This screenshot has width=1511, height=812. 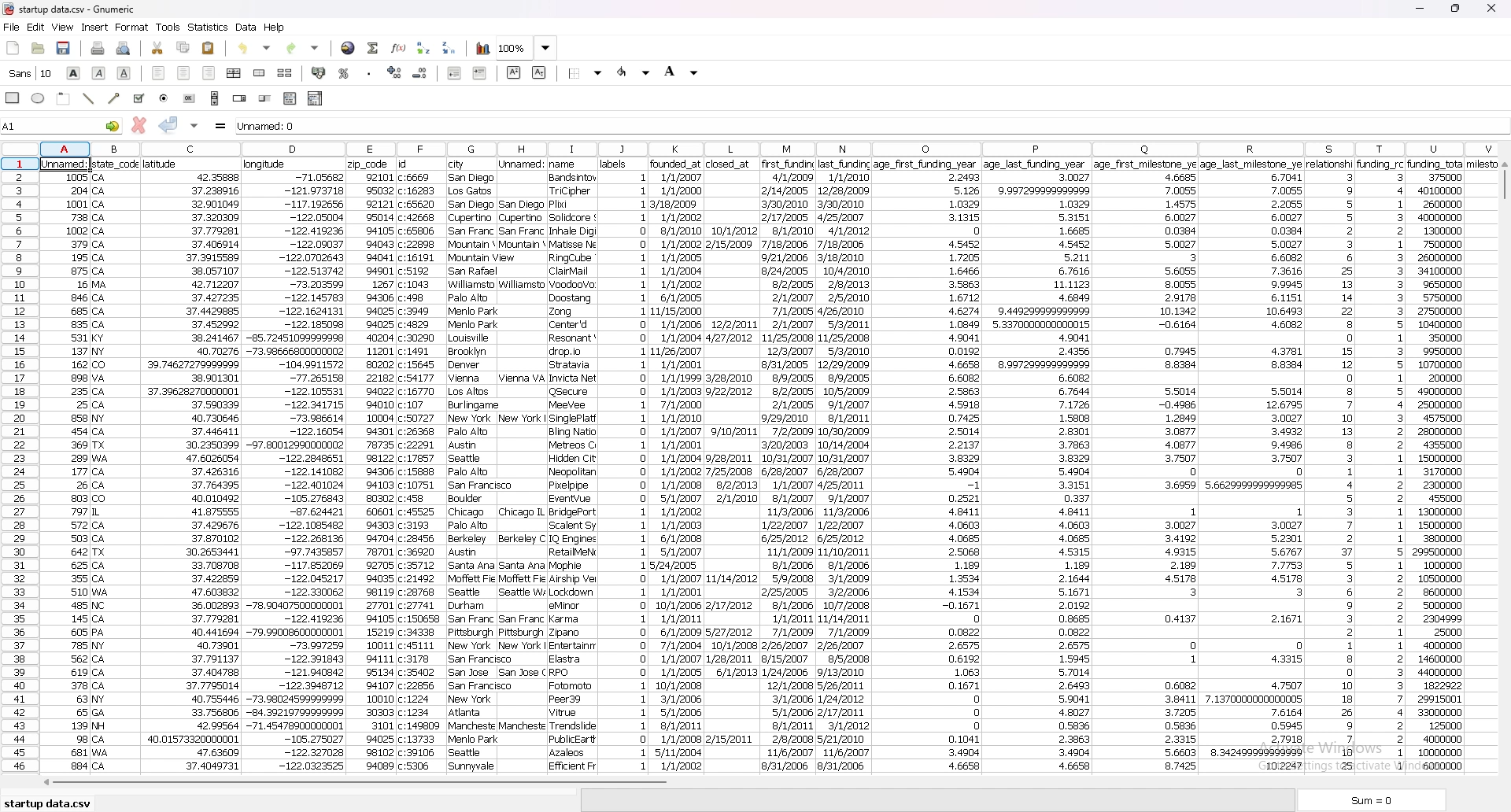 I want to click on merge cell, so click(x=261, y=73).